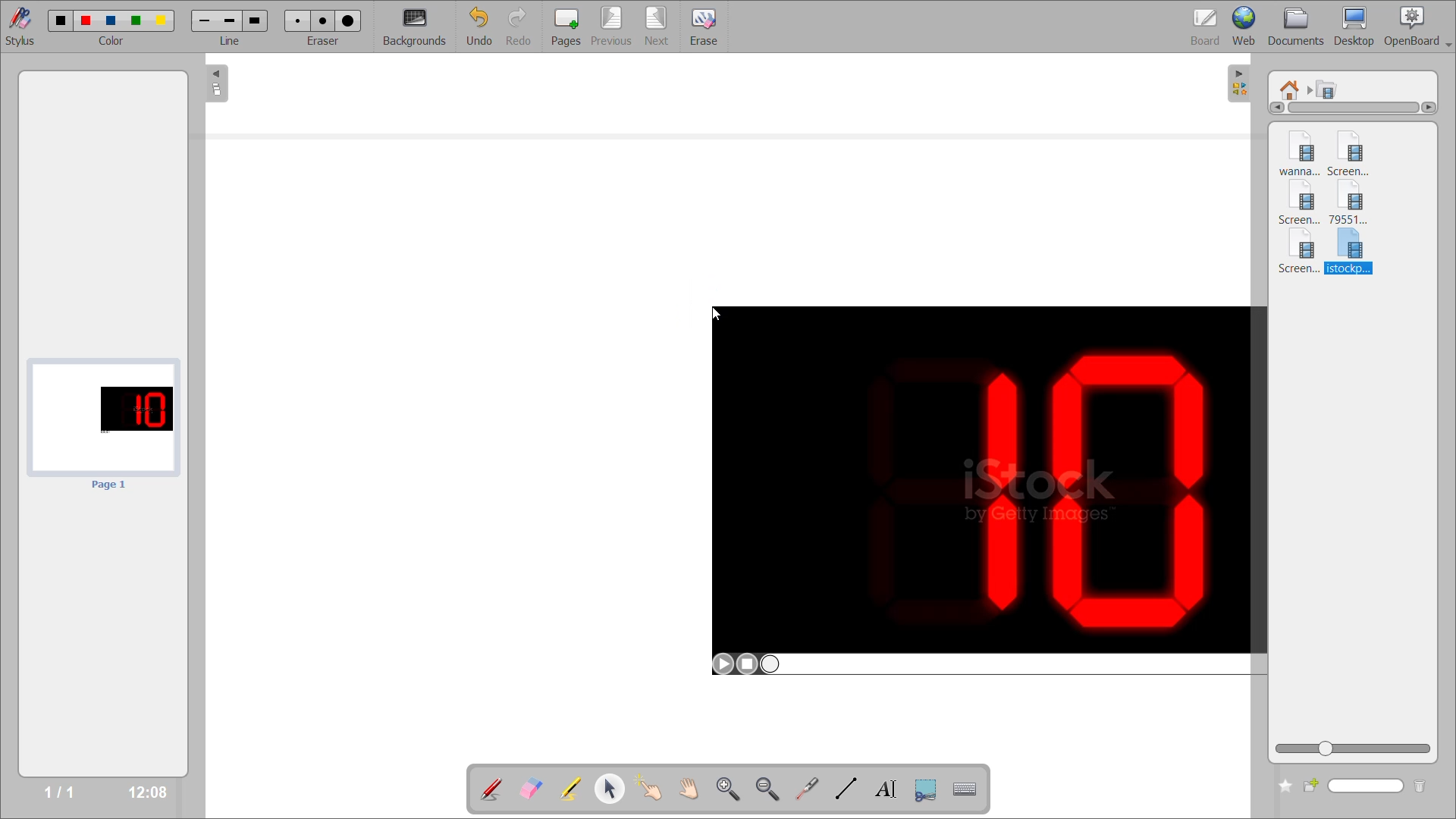 This screenshot has width=1456, height=819. I want to click on annotate document, so click(491, 787).